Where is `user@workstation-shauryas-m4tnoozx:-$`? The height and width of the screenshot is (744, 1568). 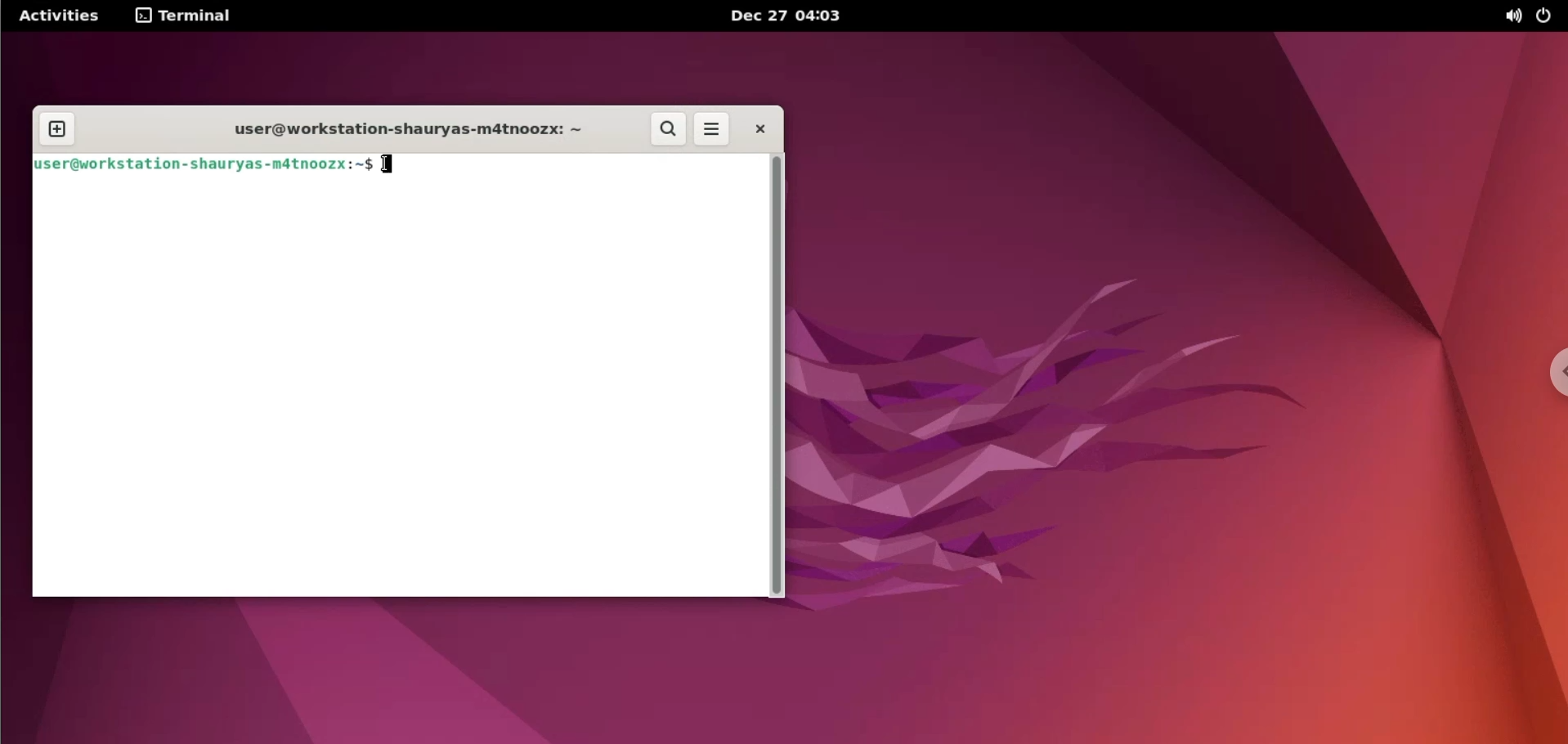 user@workstation-shauryas-m4tnoozx:-$ is located at coordinates (199, 164).